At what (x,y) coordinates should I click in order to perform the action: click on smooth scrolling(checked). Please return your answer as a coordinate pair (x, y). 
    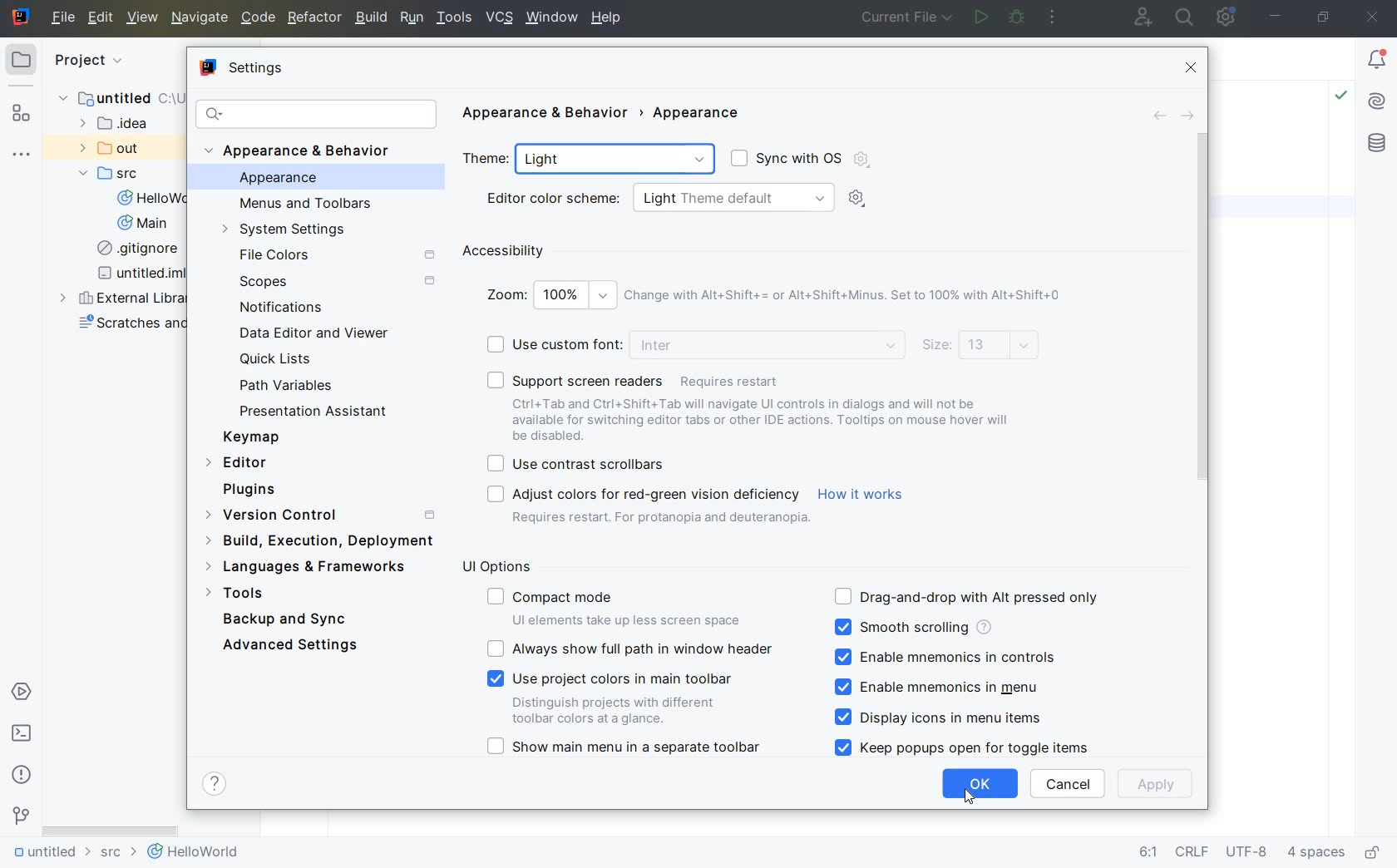
    Looking at the image, I should click on (911, 628).